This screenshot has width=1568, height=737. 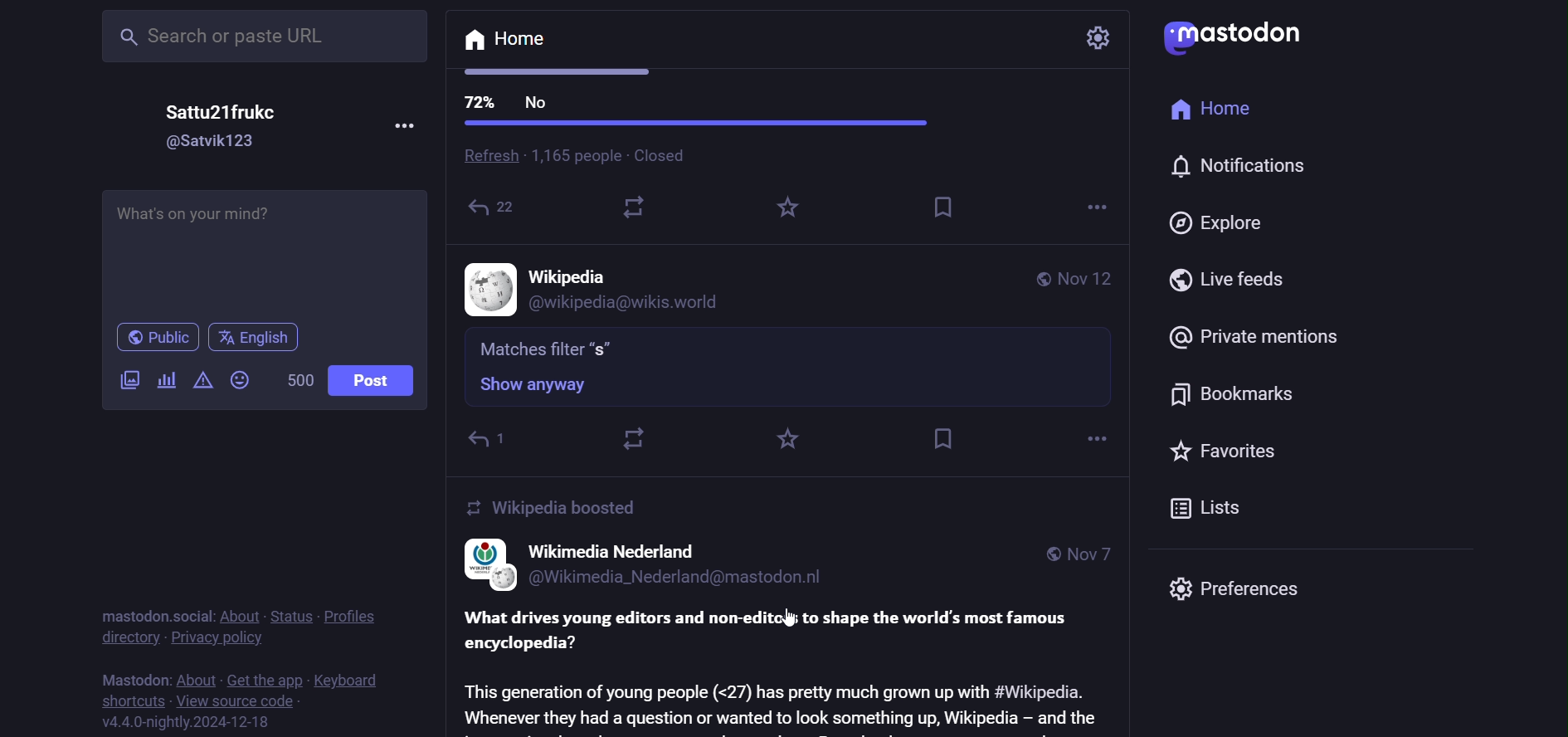 I want to click on post, so click(x=373, y=381).